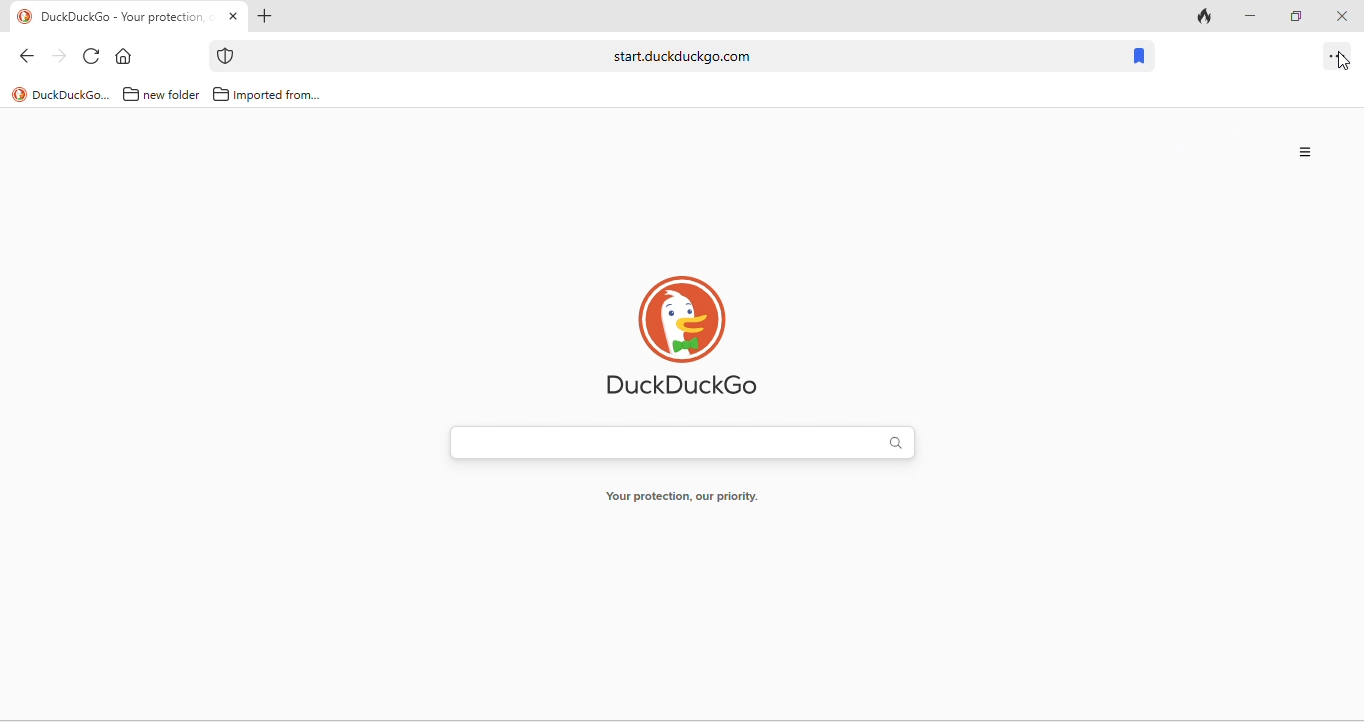  What do you see at coordinates (1247, 14) in the screenshot?
I see `minimize` at bounding box center [1247, 14].